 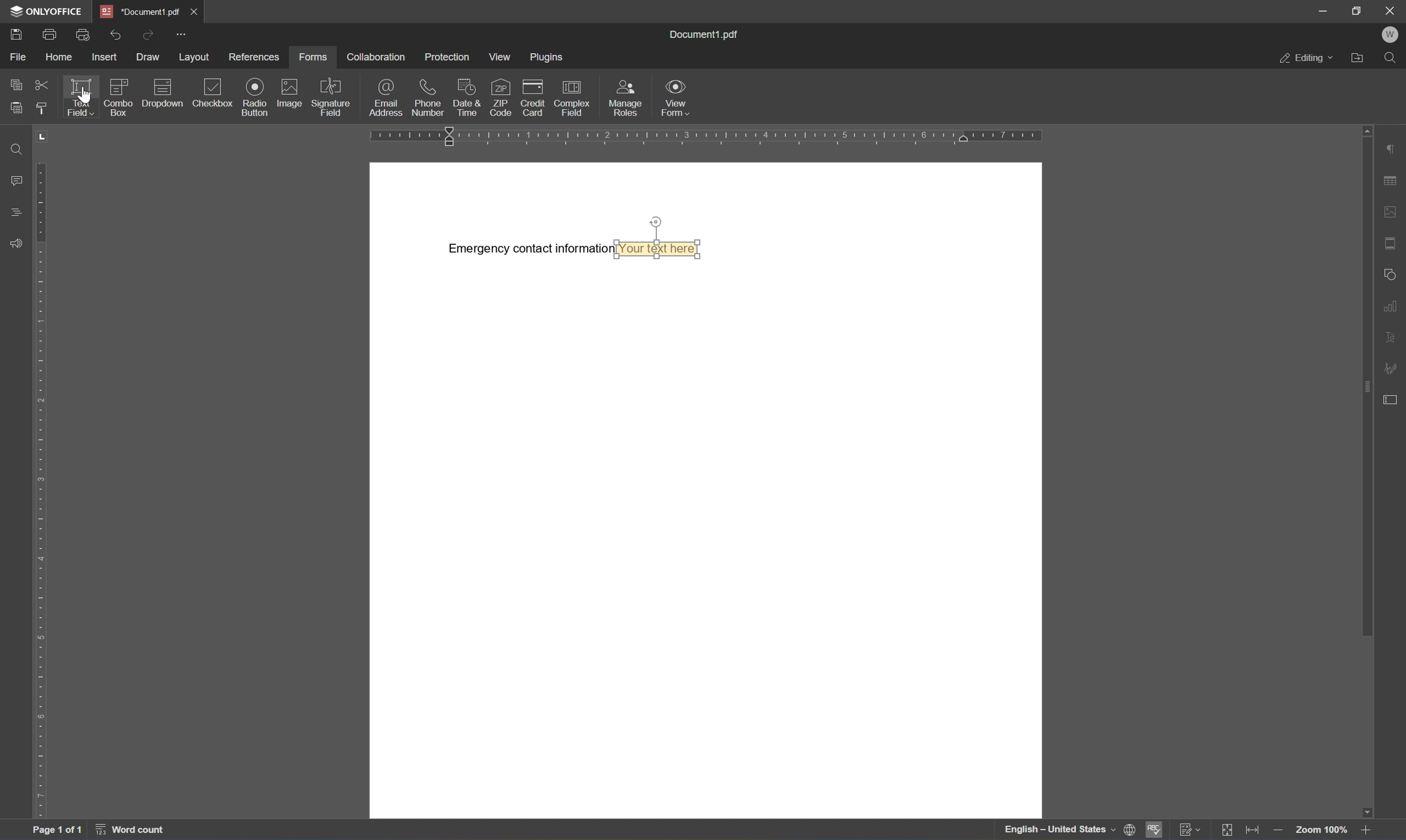 What do you see at coordinates (1189, 828) in the screenshot?
I see `track changes` at bounding box center [1189, 828].